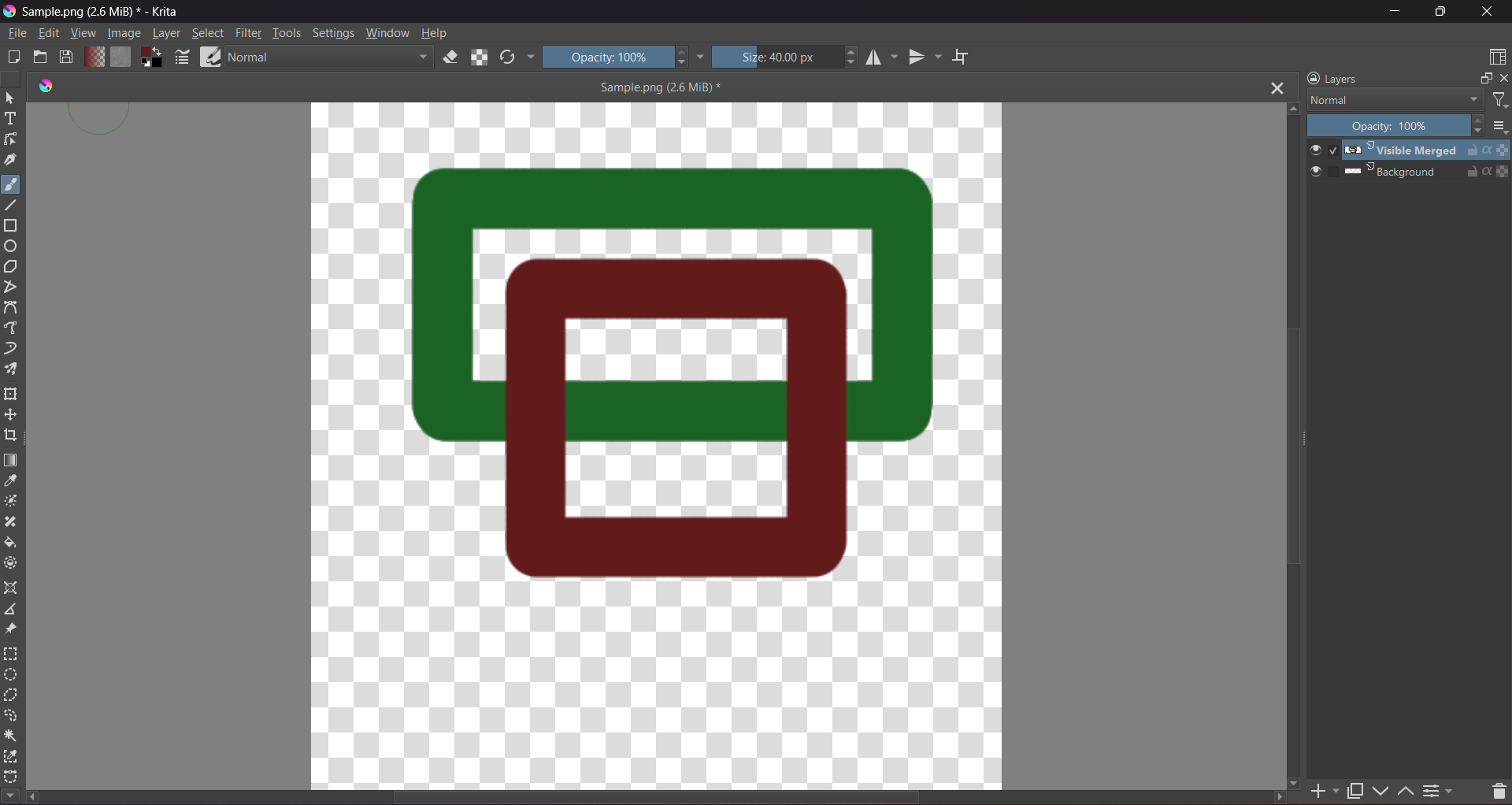 Image resolution: width=1512 pixels, height=805 pixels. I want to click on Layers, so click(1332, 78).